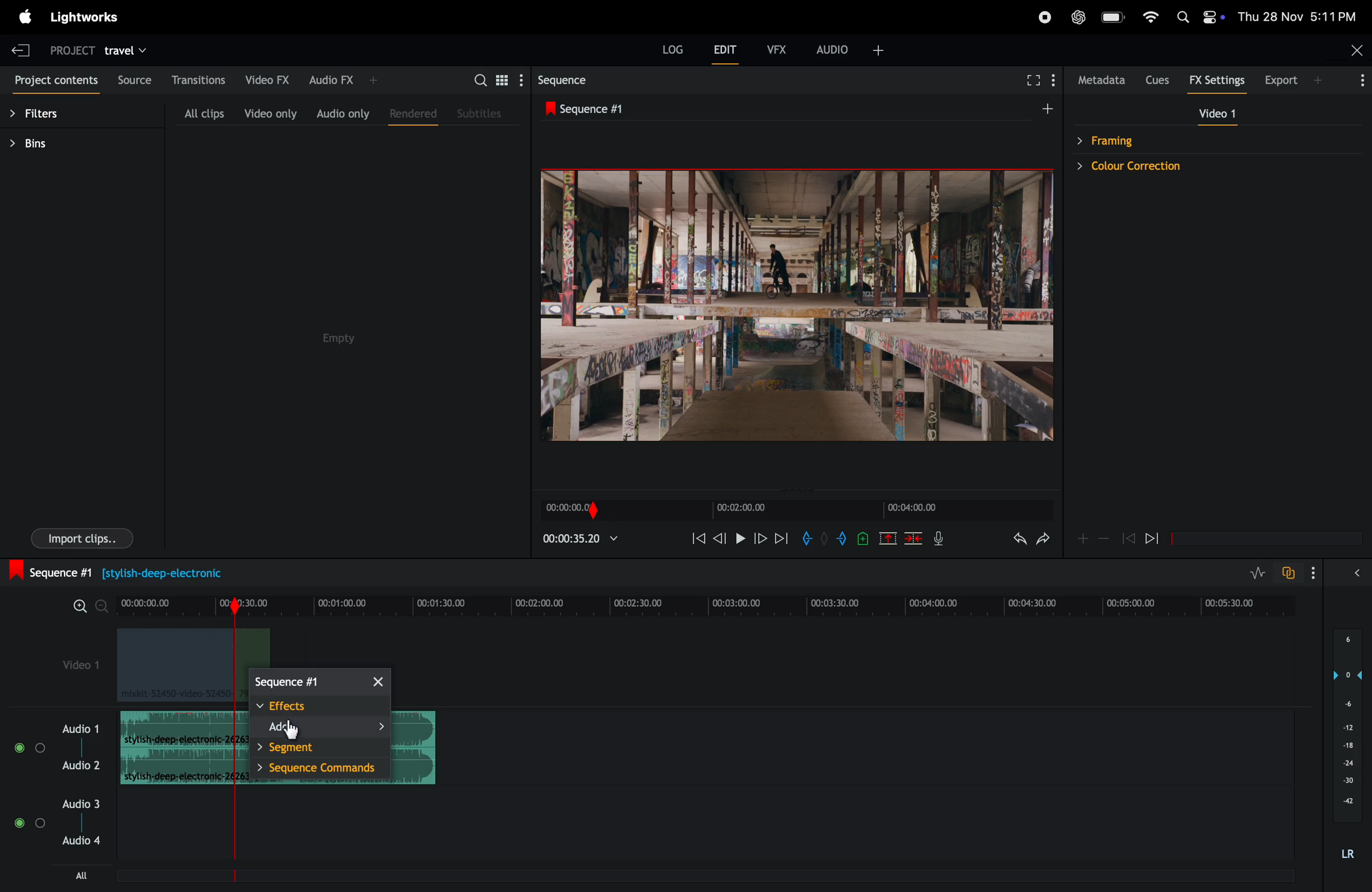 This screenshot has width=1372, height=892. What do you see at coordinates (860, 540) in the screenshot?
I see `add cue` at bounding box center [860, 540].